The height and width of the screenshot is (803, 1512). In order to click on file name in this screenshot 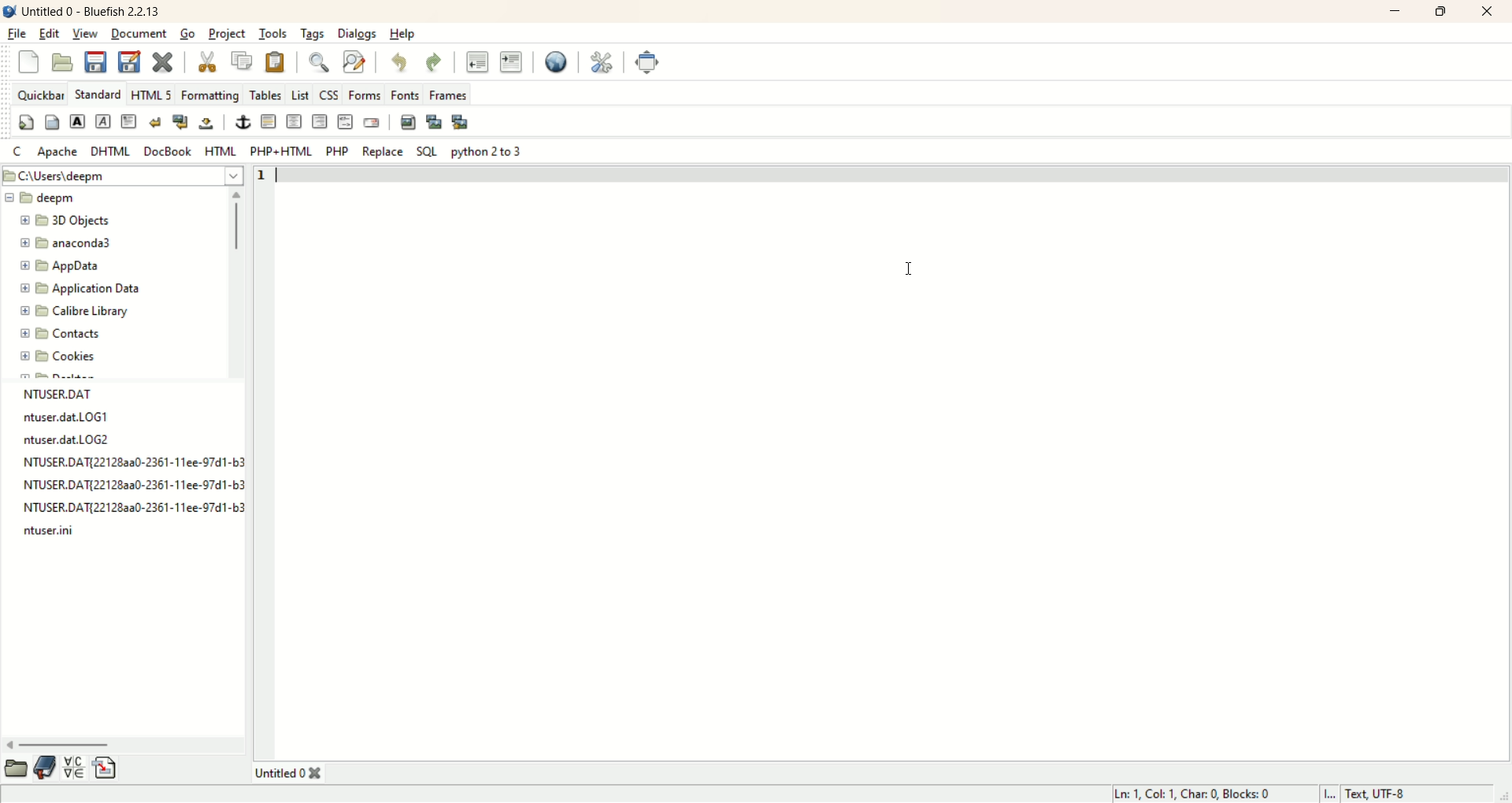, I will do `click(137, 507)`.